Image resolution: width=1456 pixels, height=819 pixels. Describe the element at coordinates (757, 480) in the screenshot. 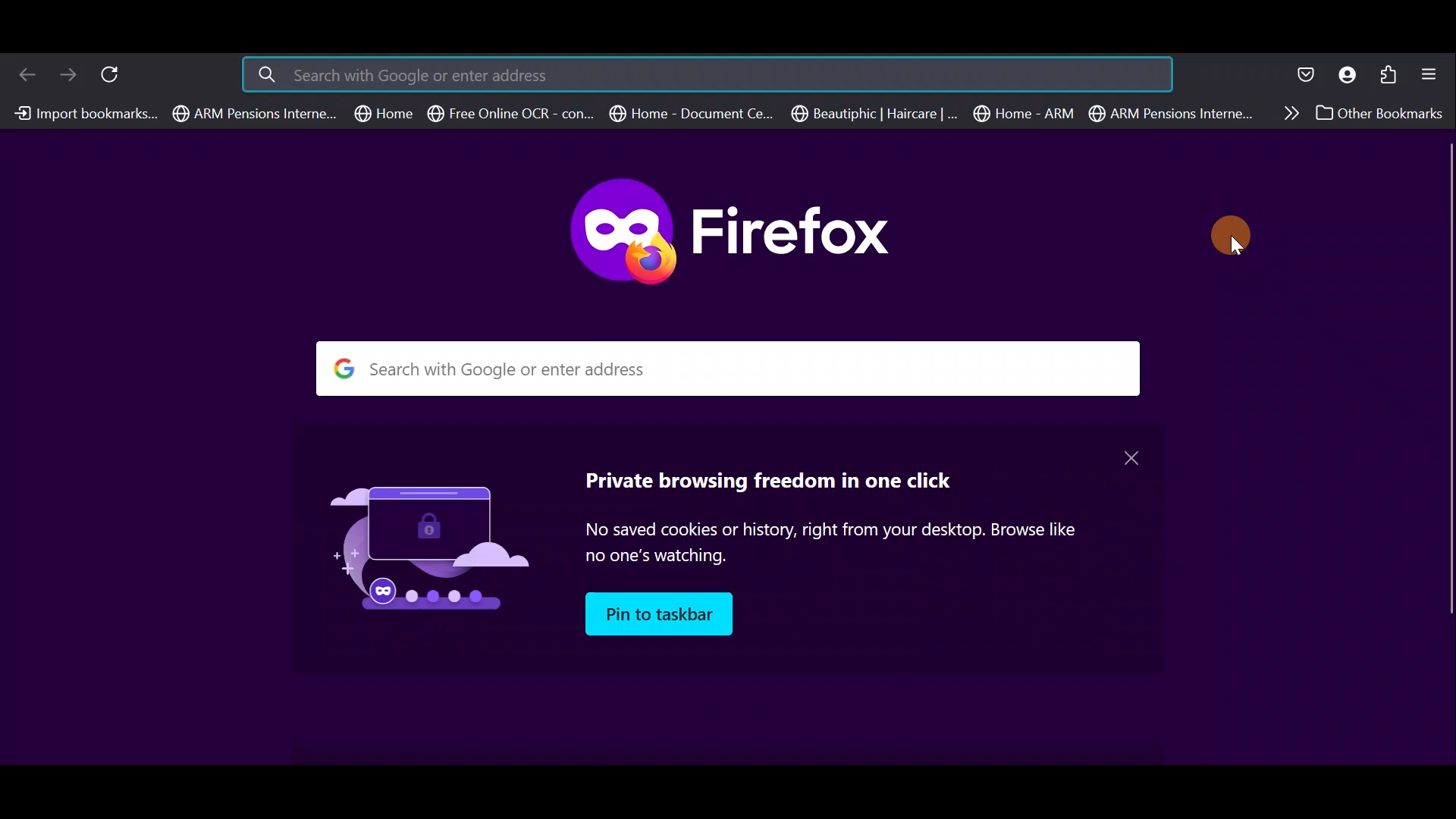

I see `Private browsing freedom in one click` at that location.